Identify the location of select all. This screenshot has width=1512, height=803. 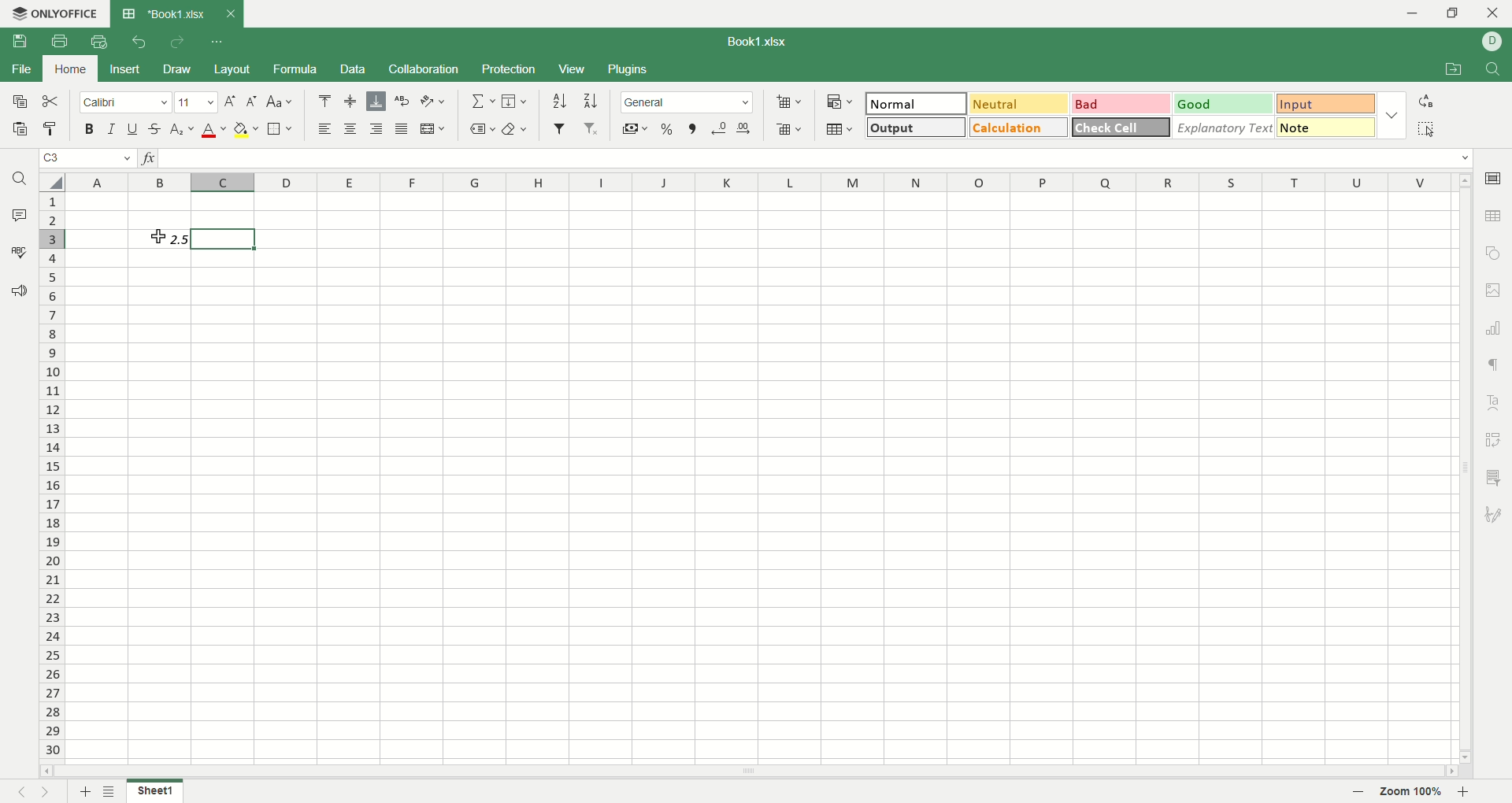
(52, 182).